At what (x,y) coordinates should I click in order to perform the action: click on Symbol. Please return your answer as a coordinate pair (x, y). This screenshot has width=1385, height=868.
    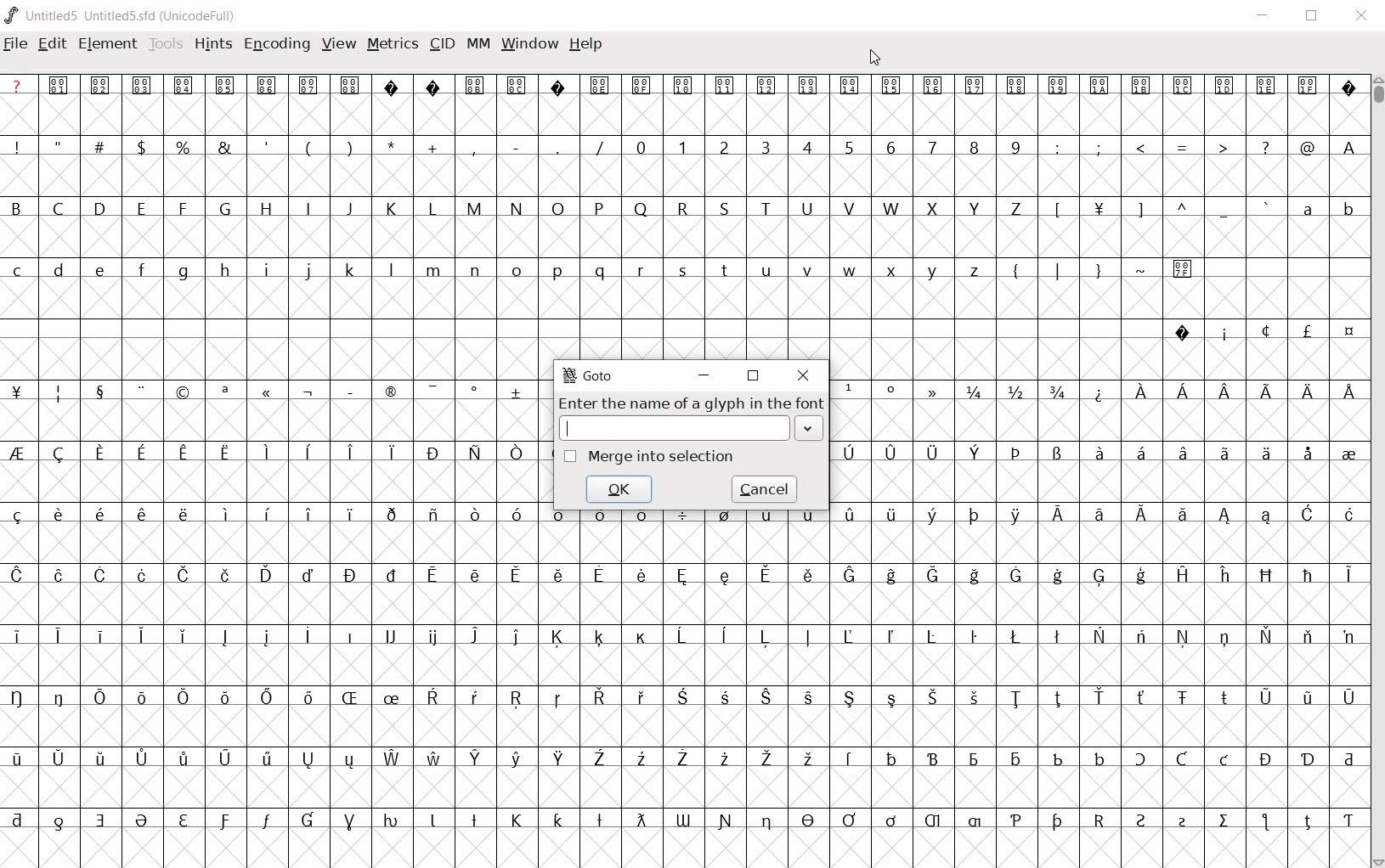
    Looking at the image, I should click on (893, 87).